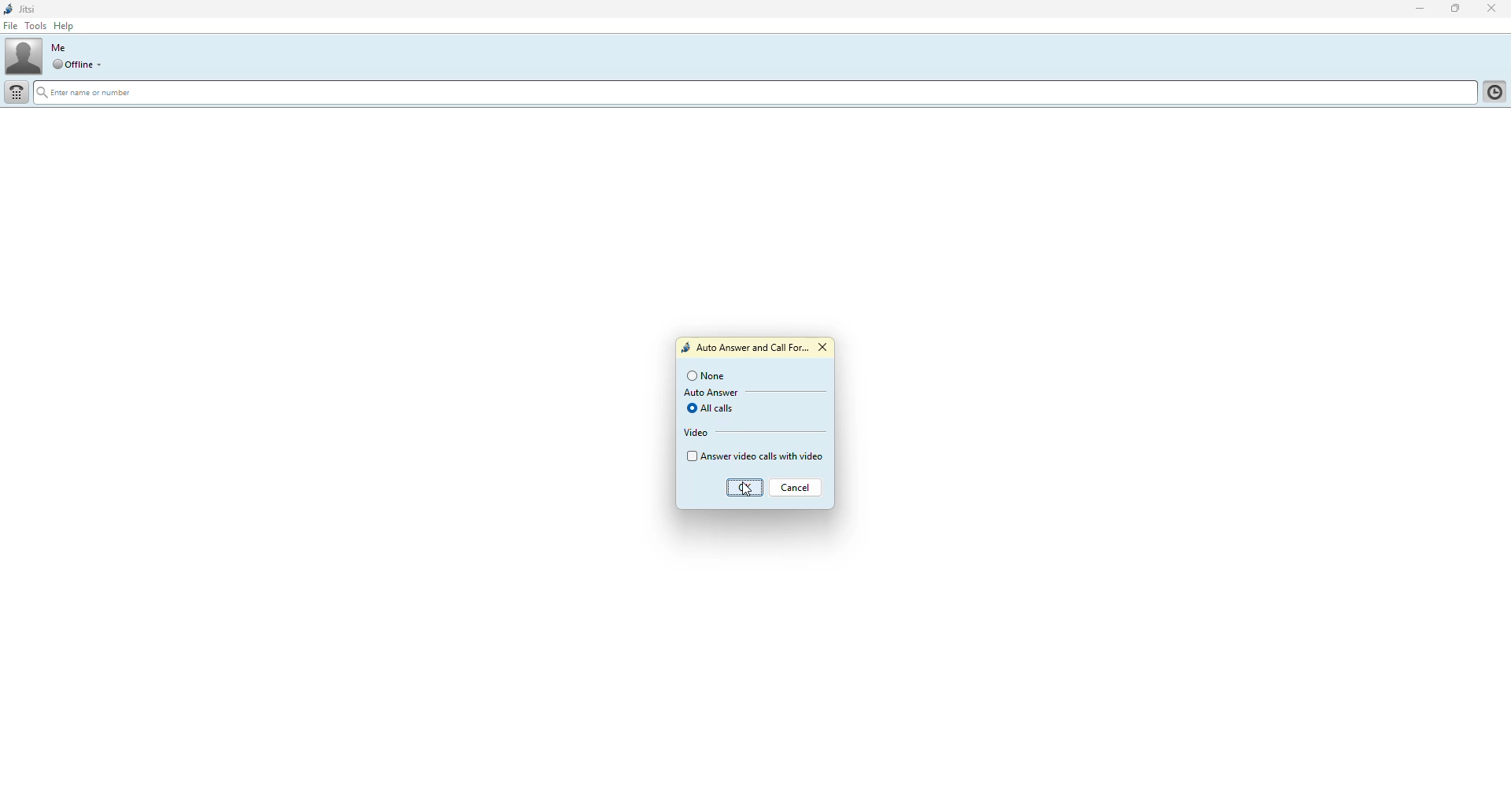  I want to click on minimize, so click(1417, 9).